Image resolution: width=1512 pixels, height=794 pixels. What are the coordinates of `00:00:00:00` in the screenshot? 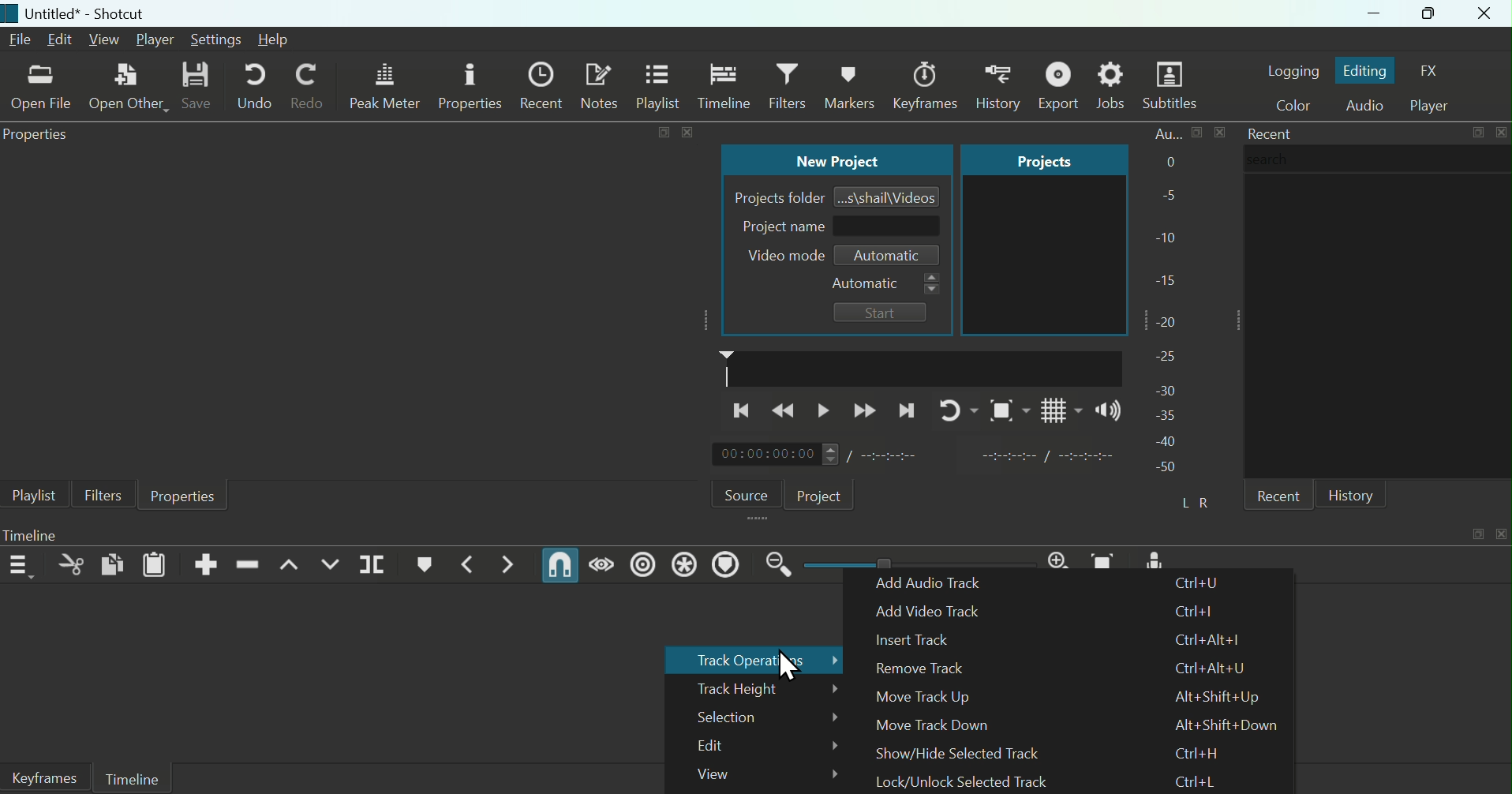 It's located at (775, 455).